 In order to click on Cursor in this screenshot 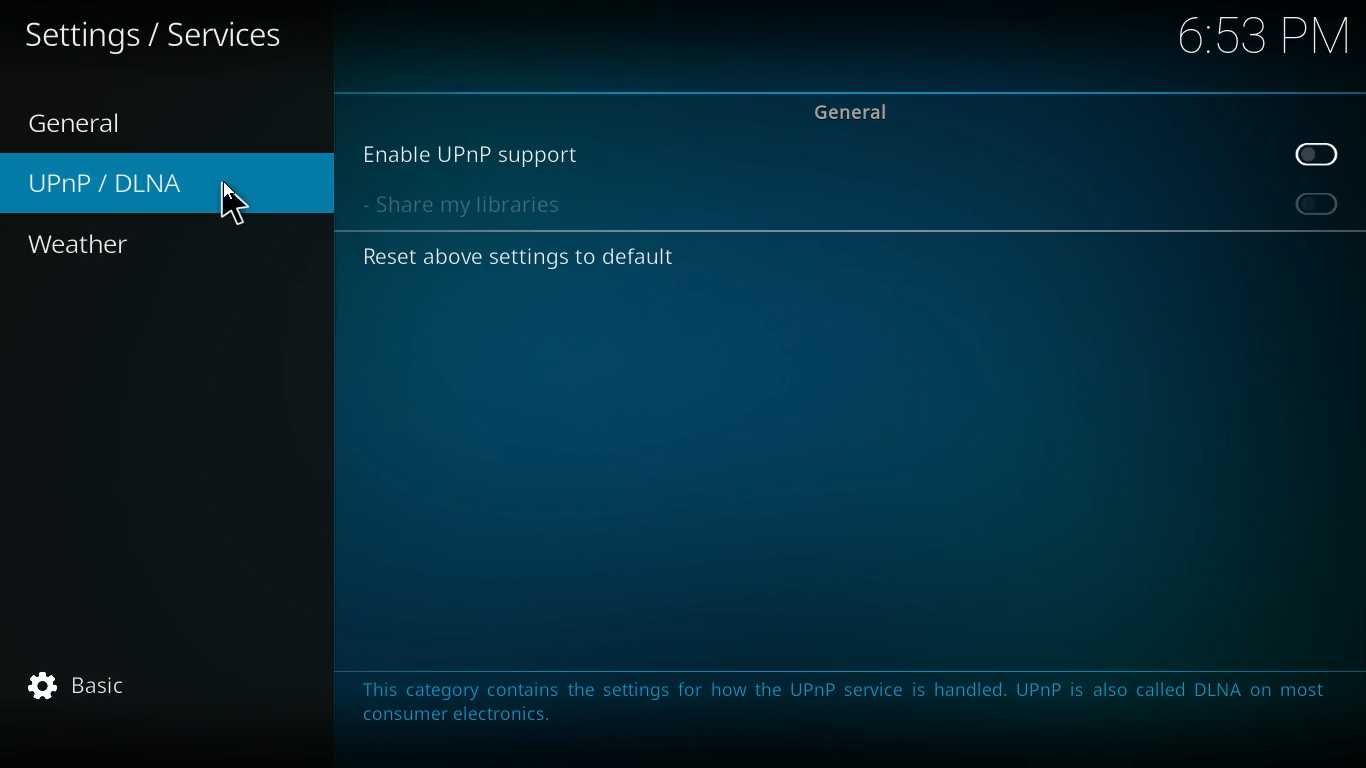, I will do `click(233, 203)`.